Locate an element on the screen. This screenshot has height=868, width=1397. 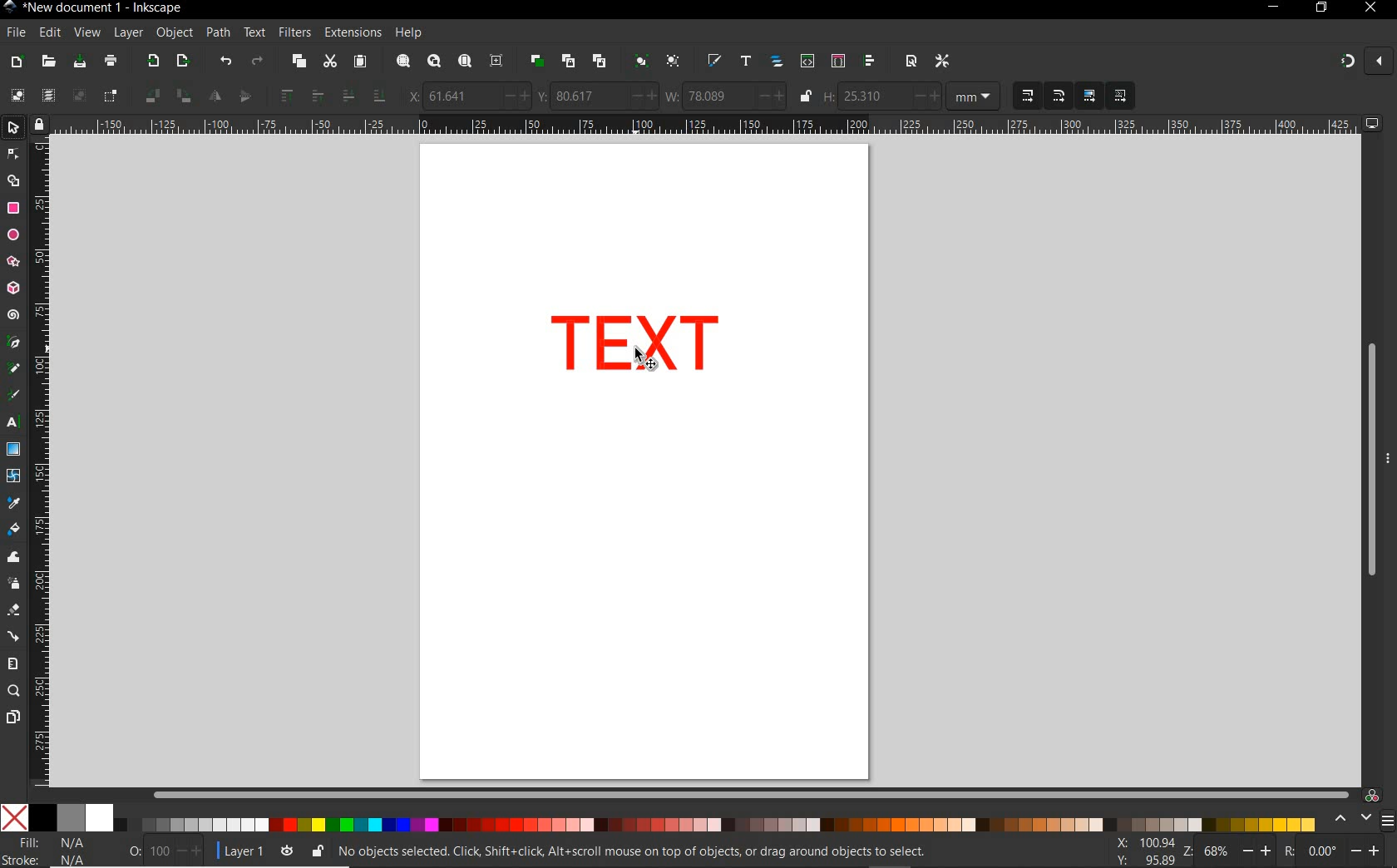
path is located at coordinates (218, 33).